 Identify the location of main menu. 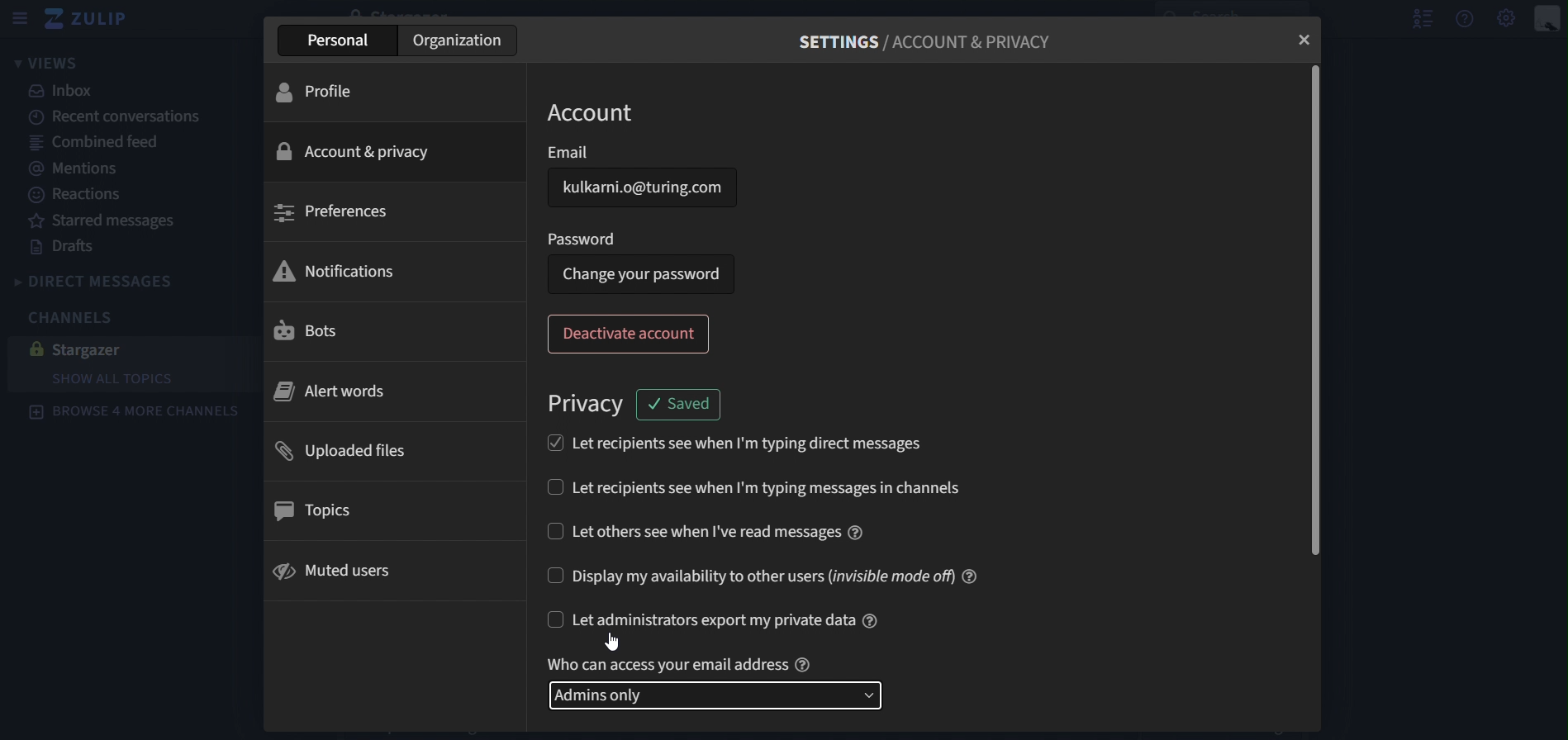
(1504, 20).